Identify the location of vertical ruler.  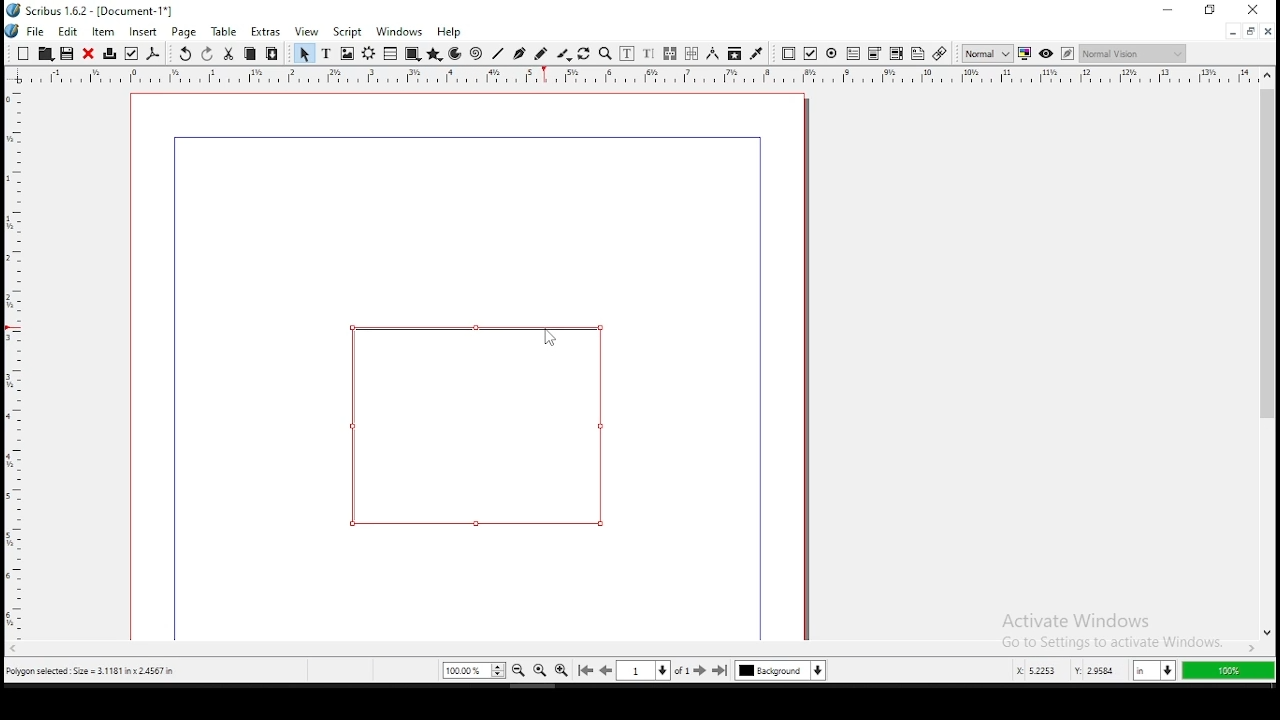
(640, 75).